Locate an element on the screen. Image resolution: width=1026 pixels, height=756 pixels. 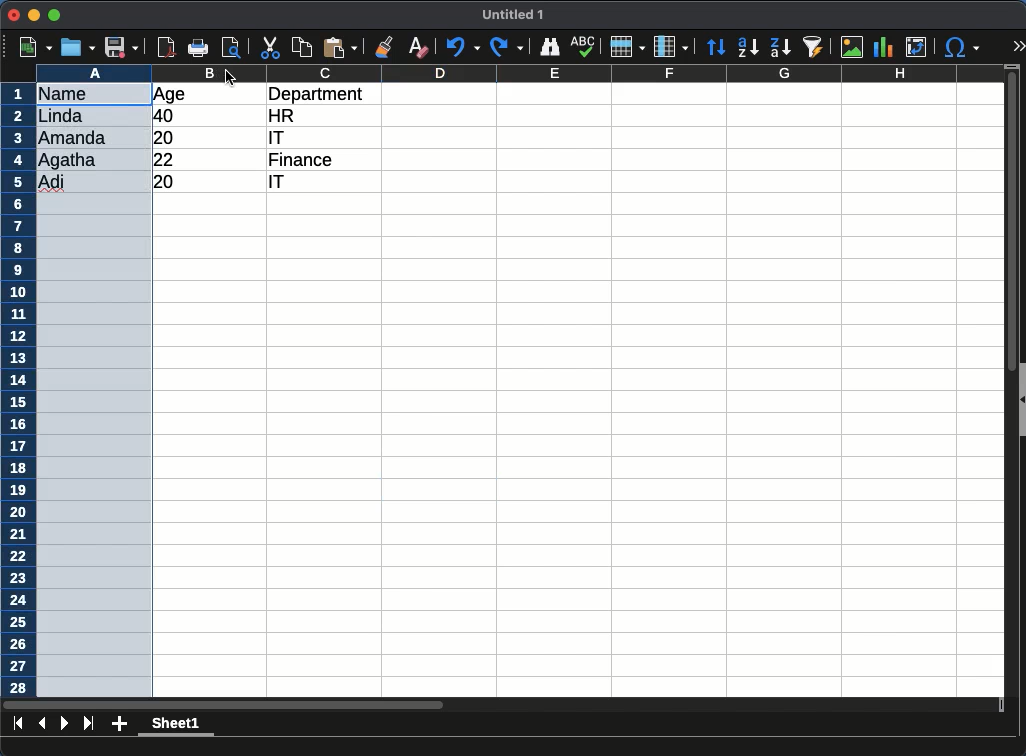
columns is located at coordinates (520, 73).